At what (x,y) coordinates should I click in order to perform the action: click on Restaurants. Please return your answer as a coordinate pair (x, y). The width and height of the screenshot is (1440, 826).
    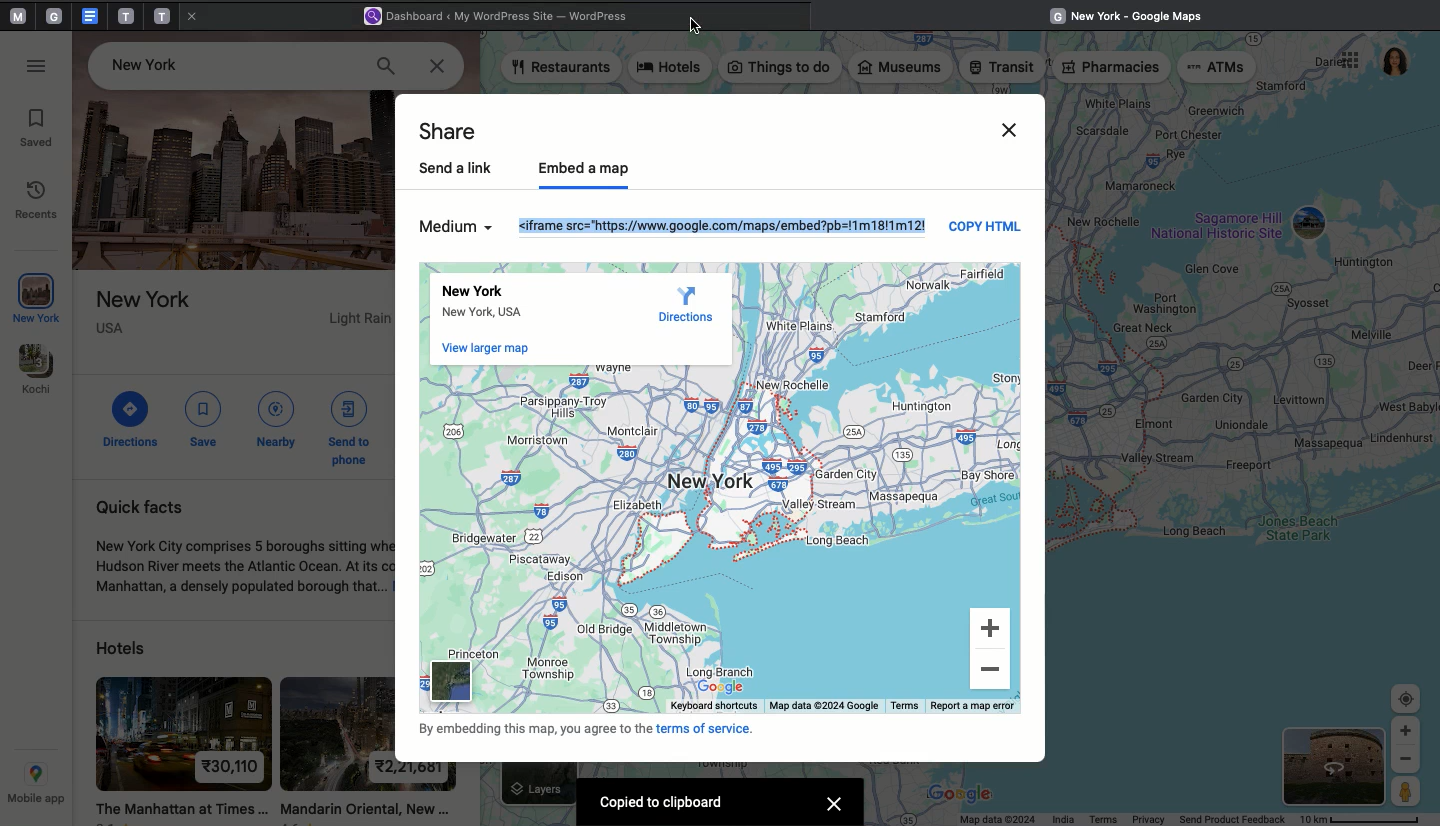
    Looking at the image, I should click on (562, 69).